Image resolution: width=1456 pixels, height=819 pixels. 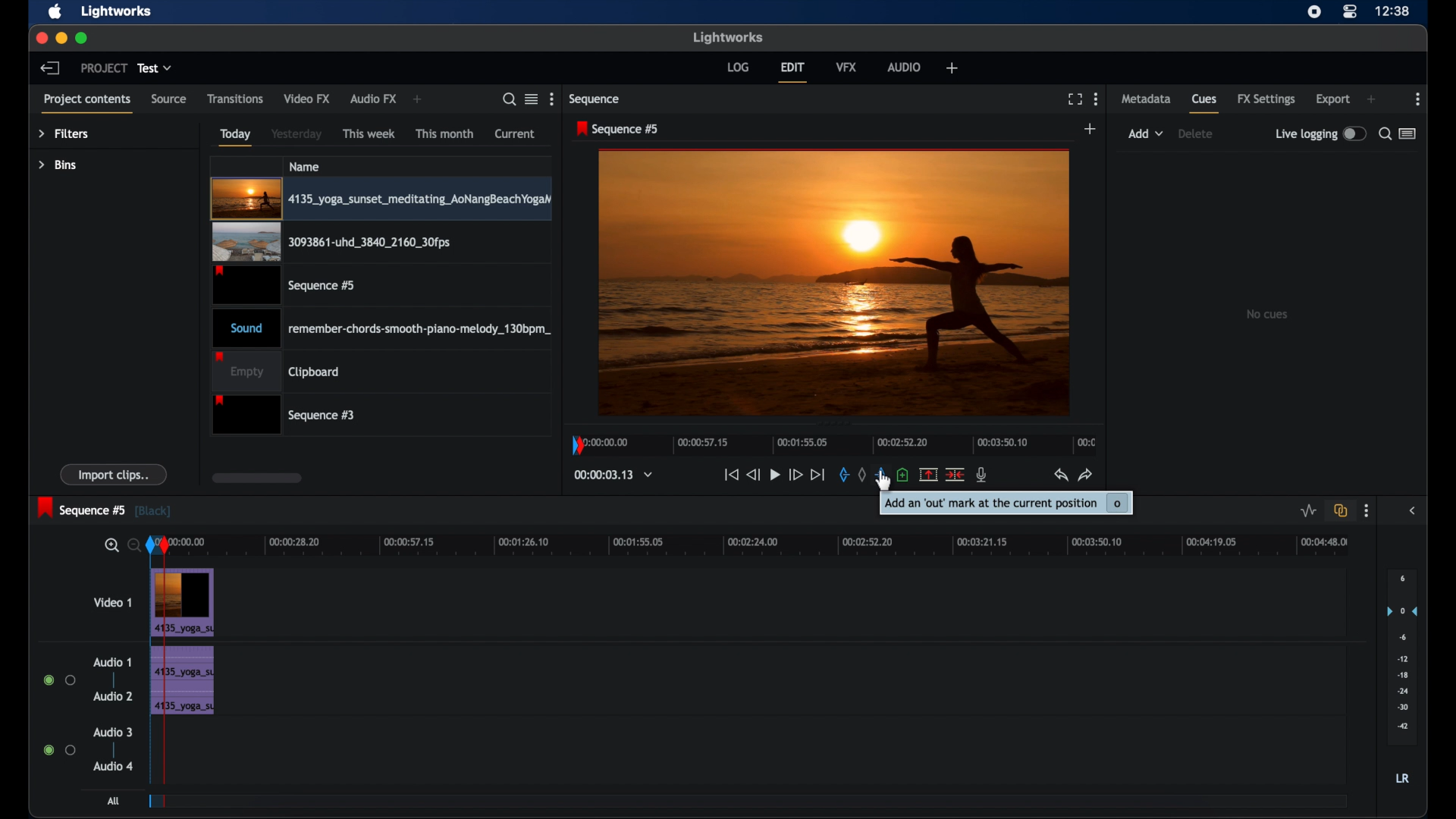 What do you see at coordinates (444, 133) in the screenshot?
I see `this month` at bounding box center [444, 133].